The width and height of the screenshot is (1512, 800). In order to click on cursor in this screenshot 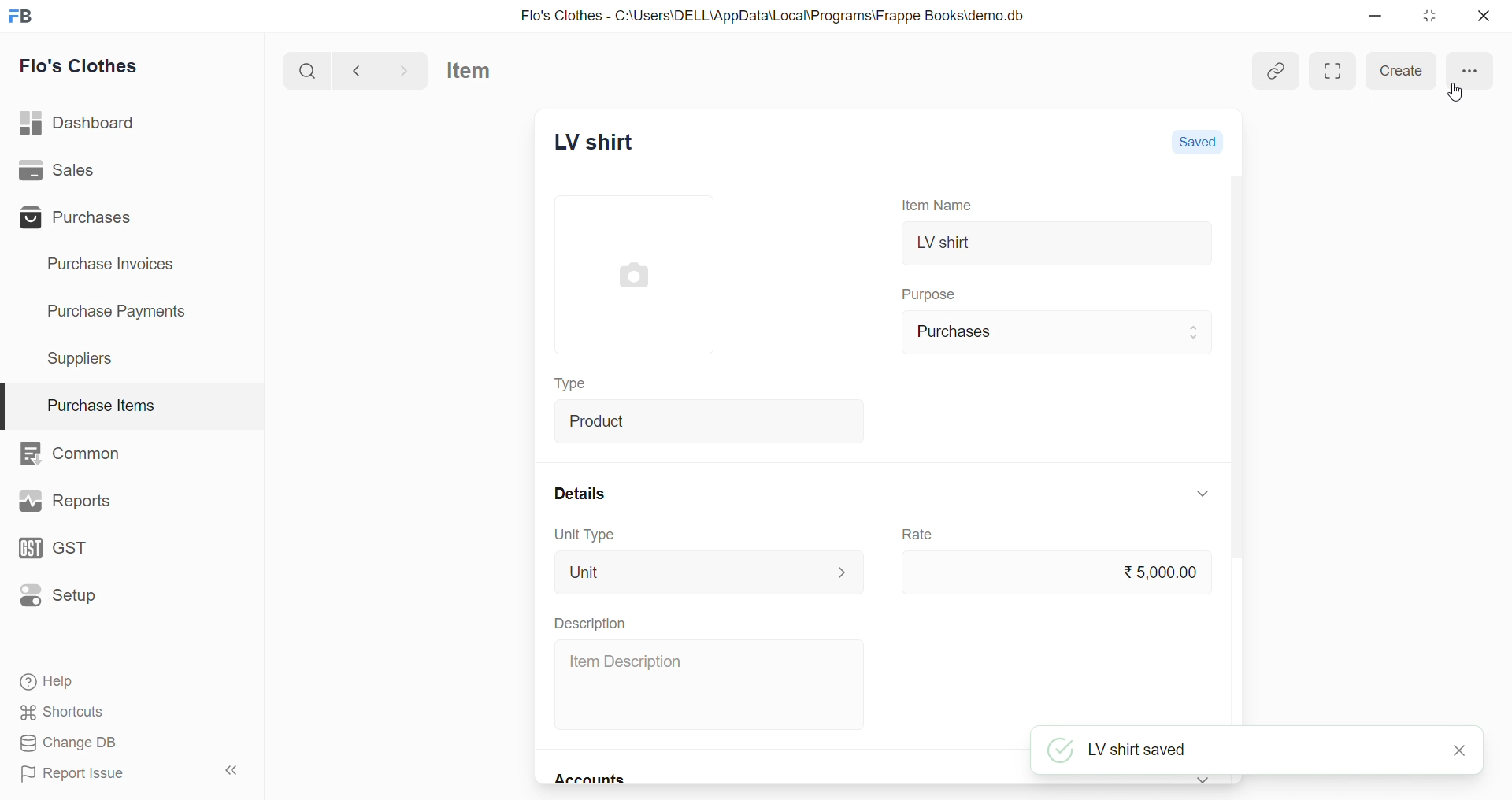, I will do `click(1455, 93)`.